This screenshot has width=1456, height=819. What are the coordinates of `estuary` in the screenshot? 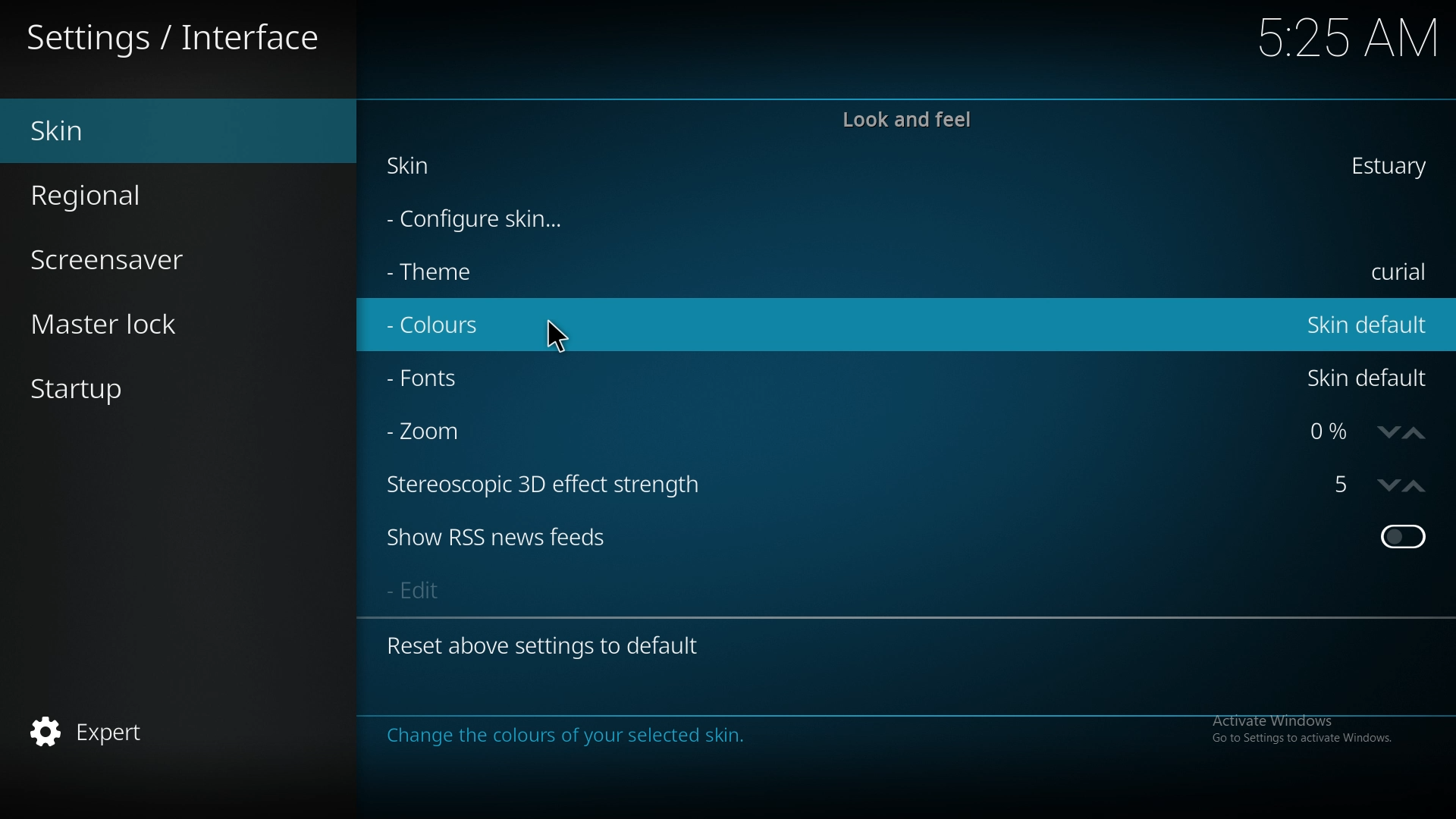 It's located at (1389, 165).